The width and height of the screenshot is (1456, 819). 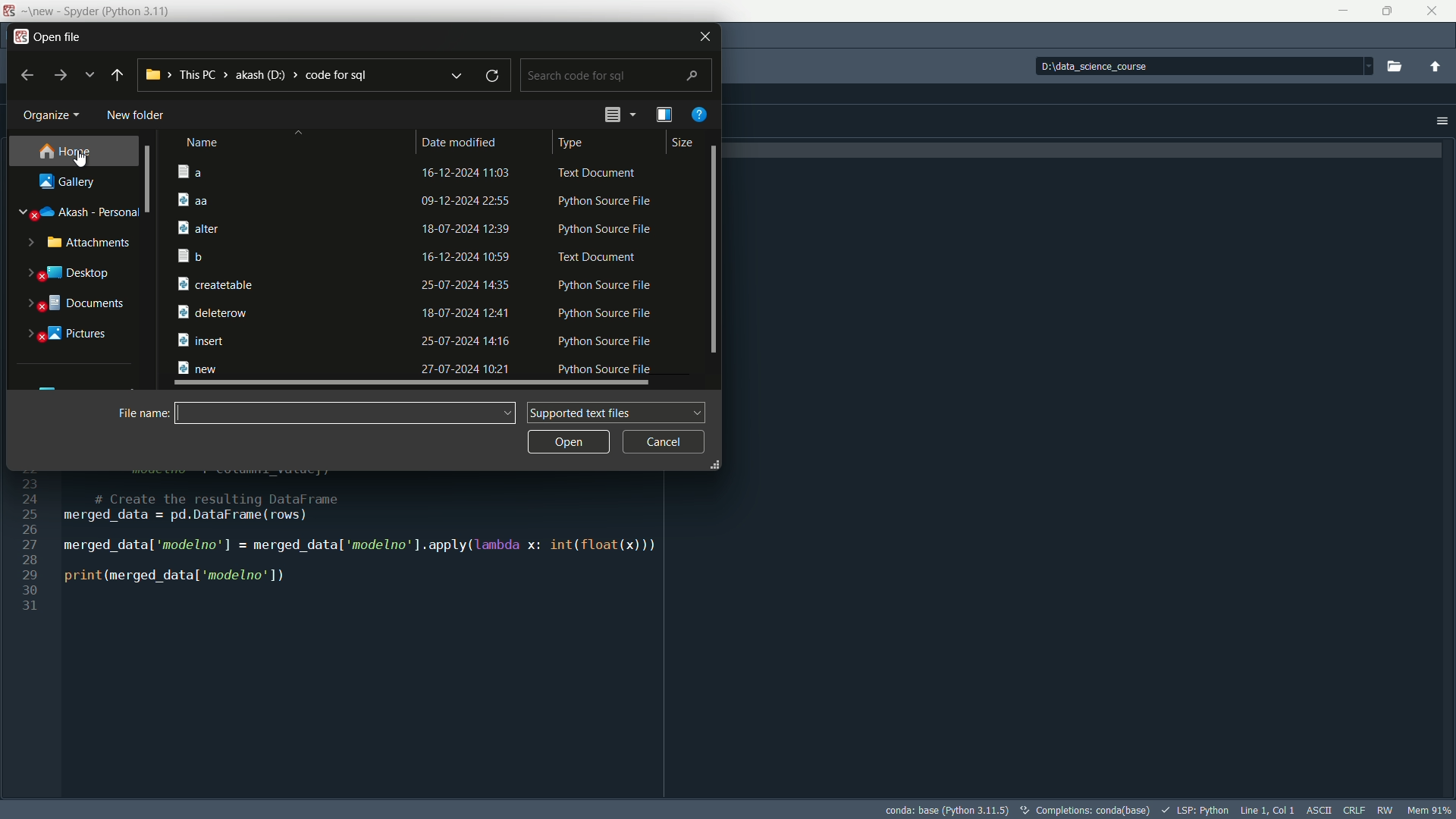 What do you see at coordinates (335, 413) in the screenshot?
I see `name bar` at bounding box center [335, 413].